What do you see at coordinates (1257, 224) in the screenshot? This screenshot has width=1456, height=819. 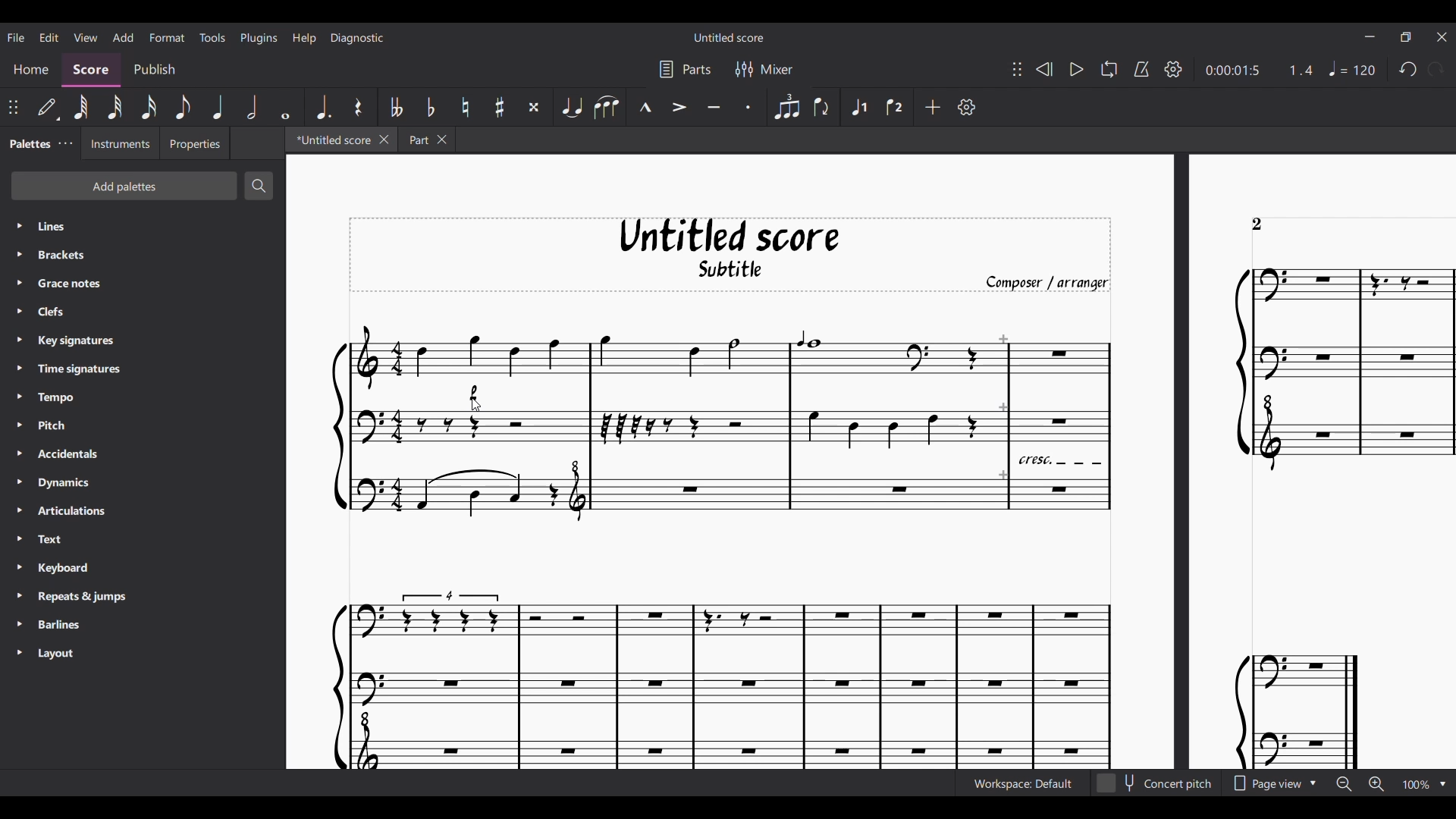 I see `Page count ` at bounding box center [1257, 224].